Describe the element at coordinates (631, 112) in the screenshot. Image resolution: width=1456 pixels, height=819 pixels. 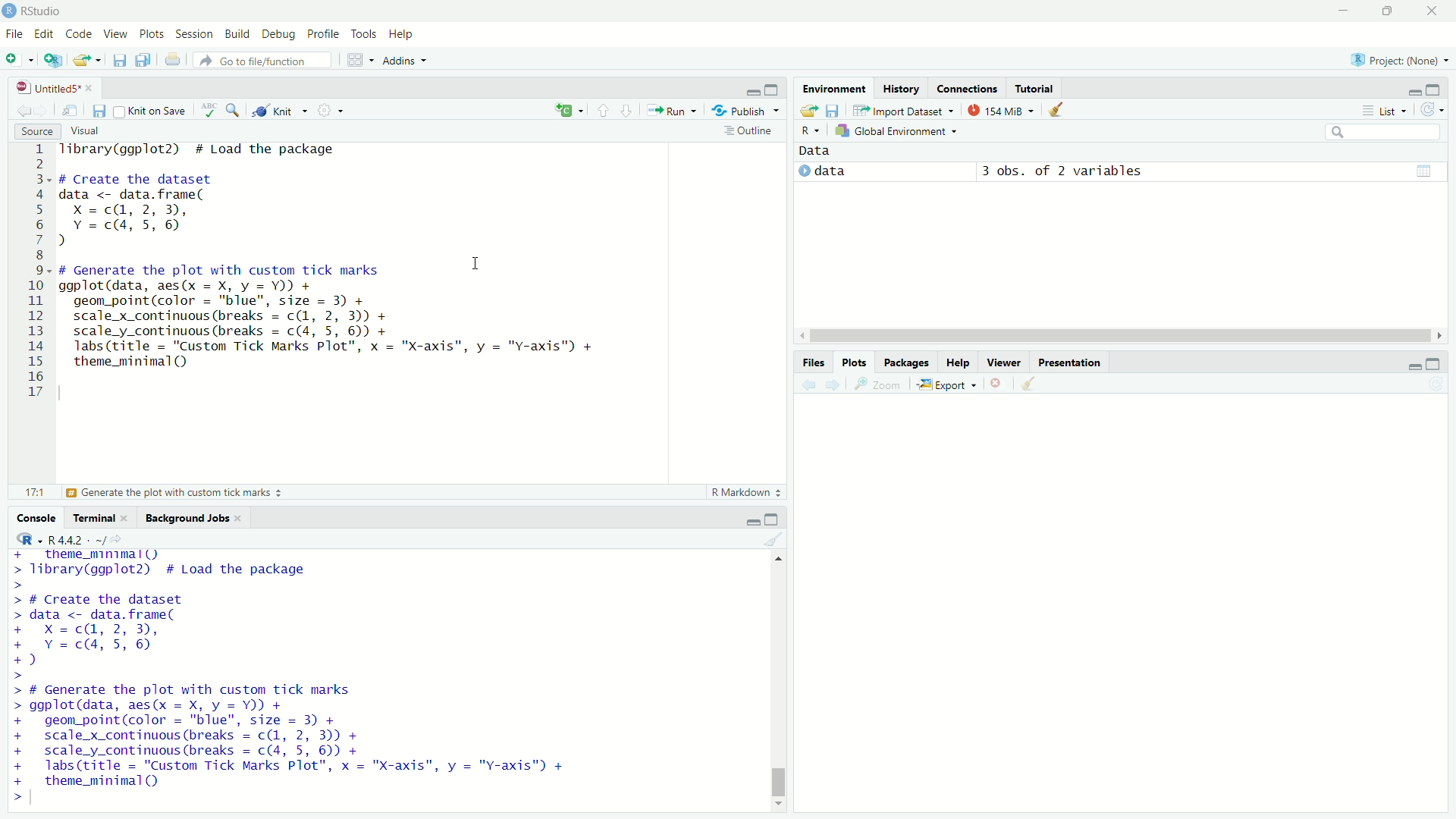
I see `go to next section/chunk` at that location.